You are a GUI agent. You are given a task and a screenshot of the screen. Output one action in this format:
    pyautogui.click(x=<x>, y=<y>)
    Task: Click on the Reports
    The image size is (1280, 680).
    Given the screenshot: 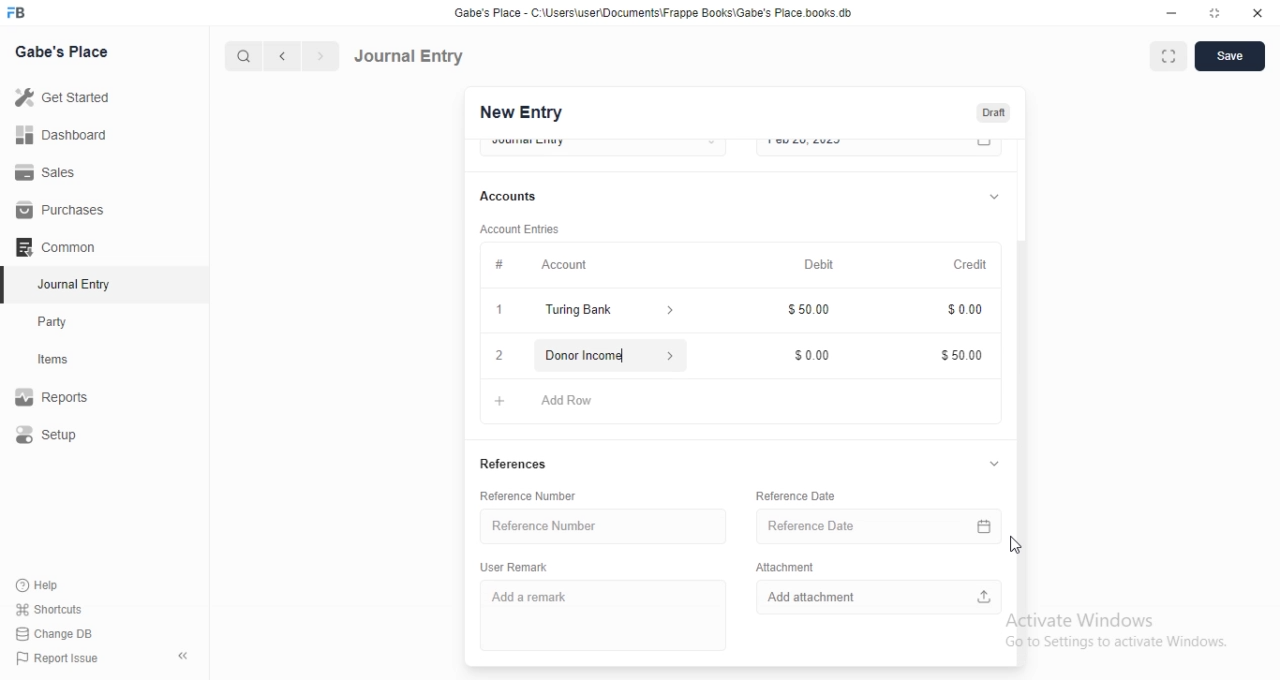 What is the action you would take?
    pyautogui.click(x=65, y=399)
    